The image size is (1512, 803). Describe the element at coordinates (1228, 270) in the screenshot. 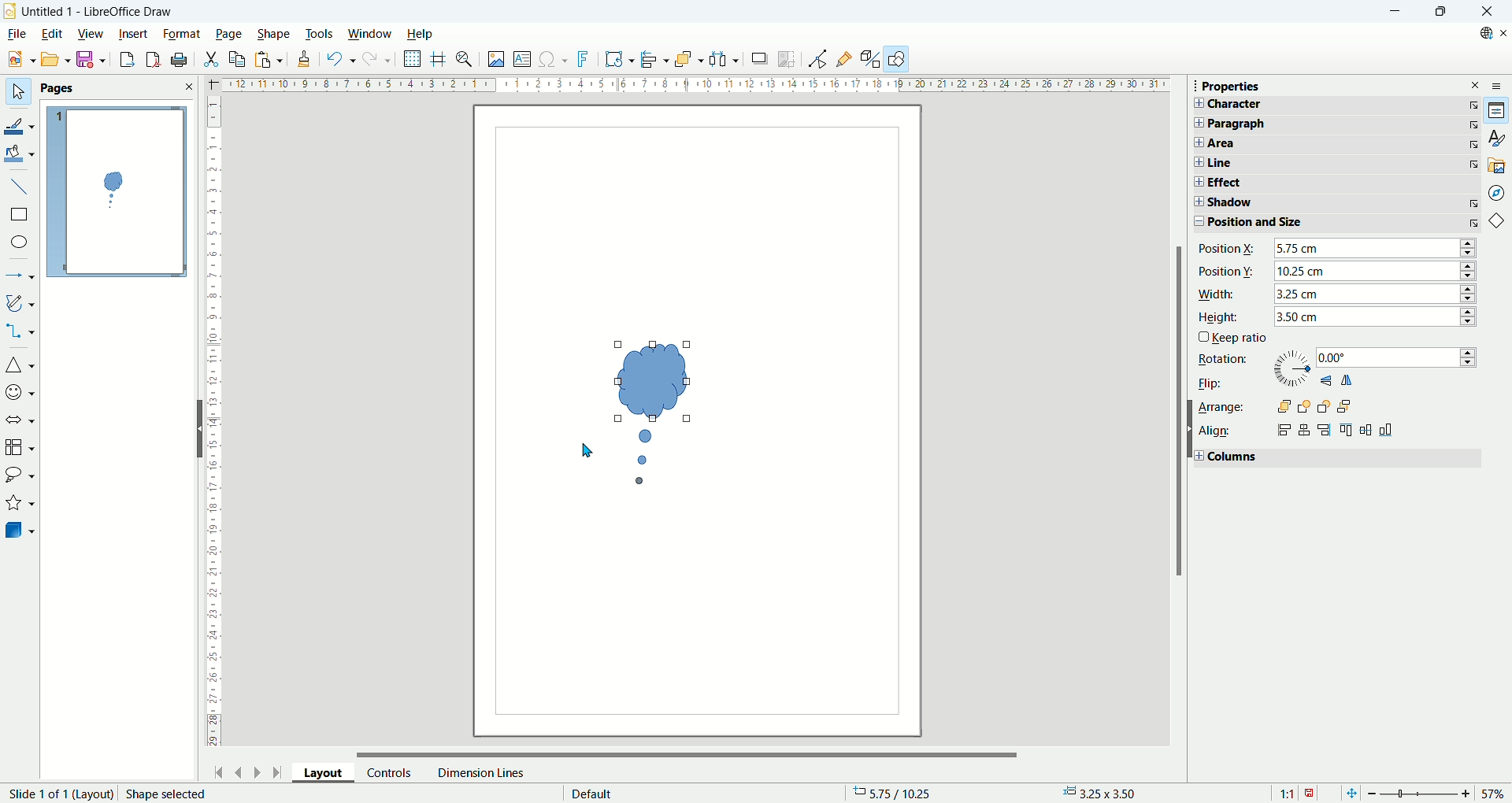

I see `Position Y` at that location.